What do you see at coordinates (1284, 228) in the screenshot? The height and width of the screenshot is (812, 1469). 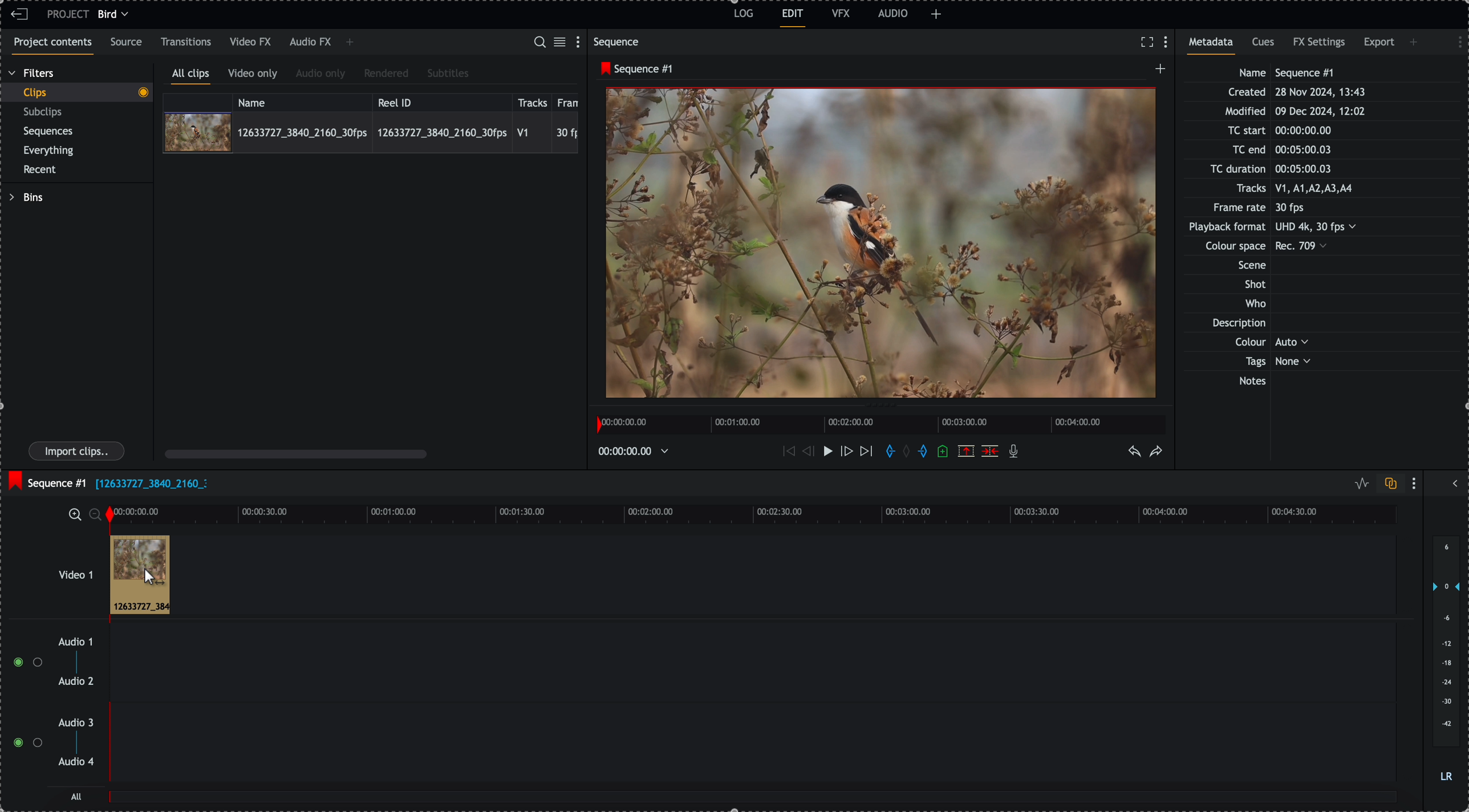 I see `metadata` at bounding box center [1284, 228].